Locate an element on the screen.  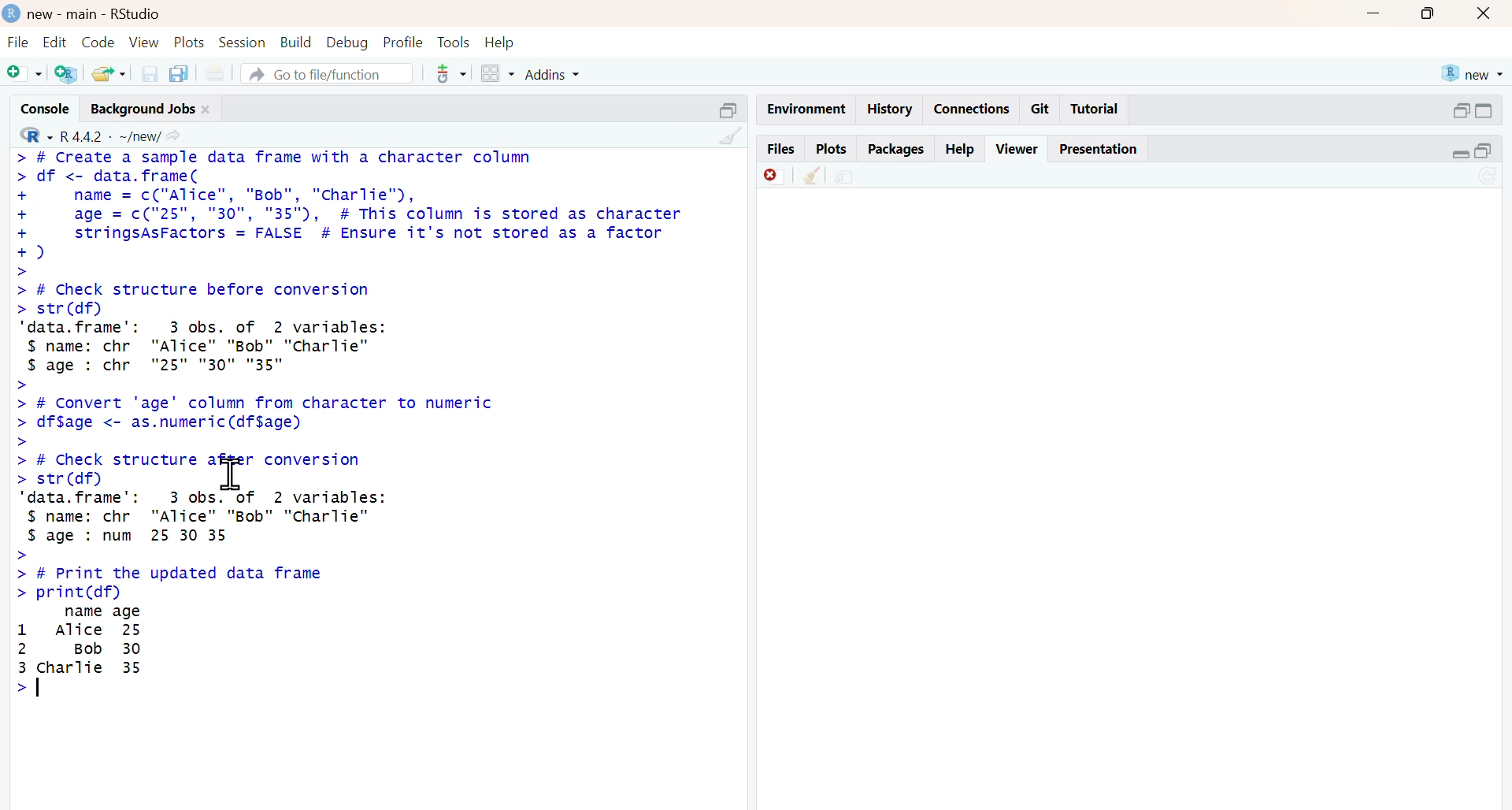
code is located at coordinates (98, 42).